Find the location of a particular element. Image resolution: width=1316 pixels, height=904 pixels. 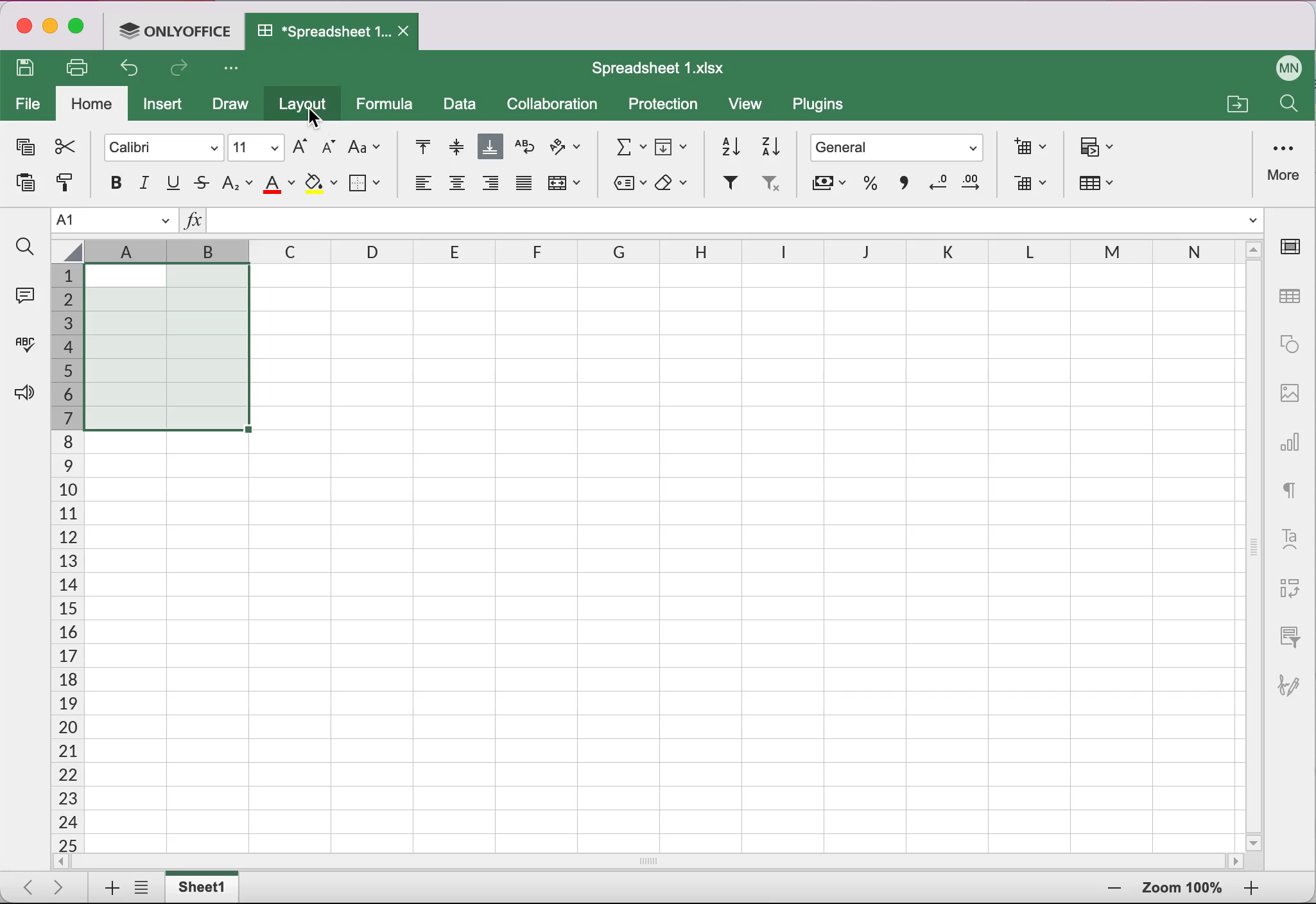

filter is located at coordinates (729, 184).